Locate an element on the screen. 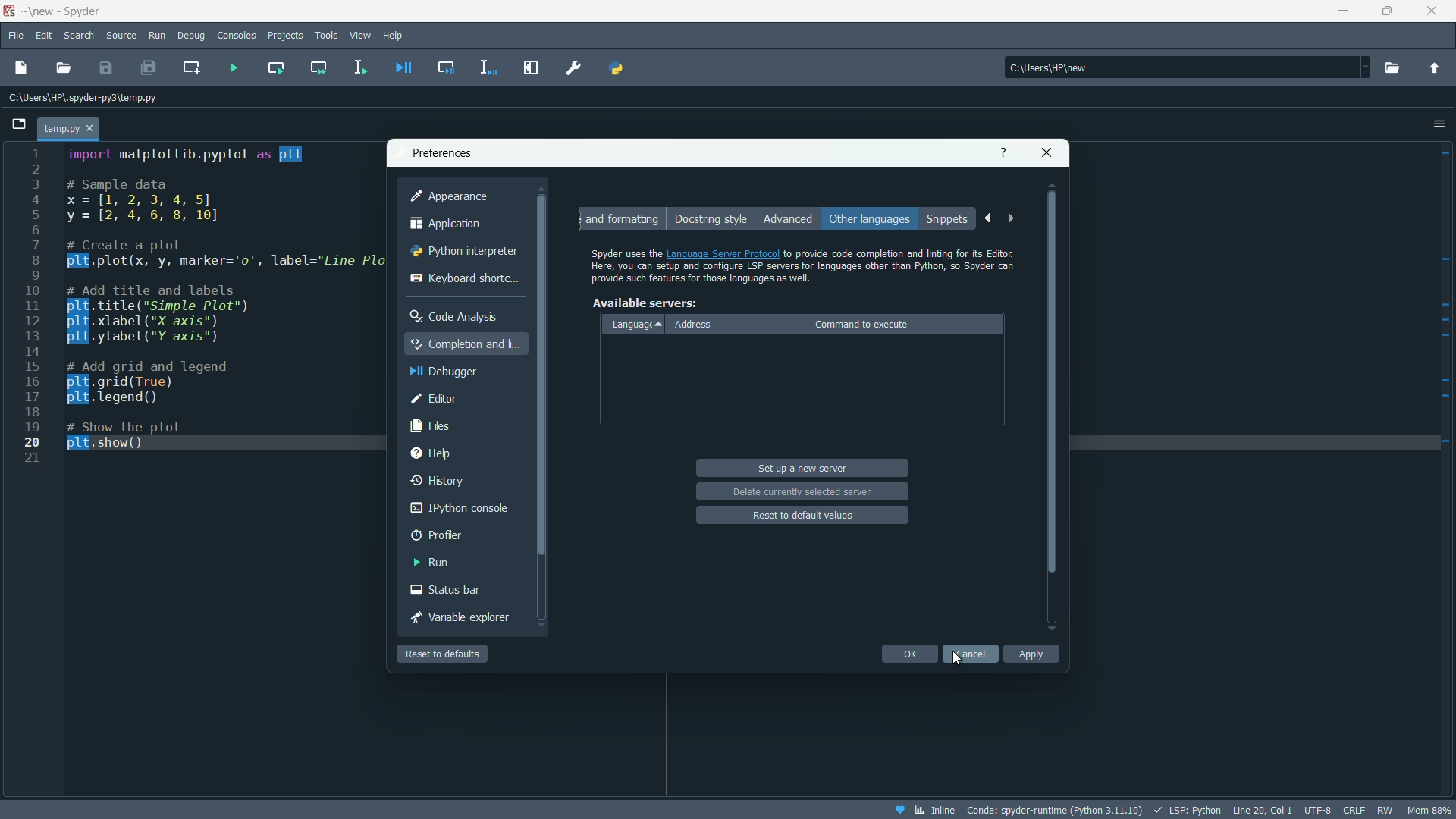 This screenshot has width=1456, height=819. preferences is located at coordinates (575, 67).